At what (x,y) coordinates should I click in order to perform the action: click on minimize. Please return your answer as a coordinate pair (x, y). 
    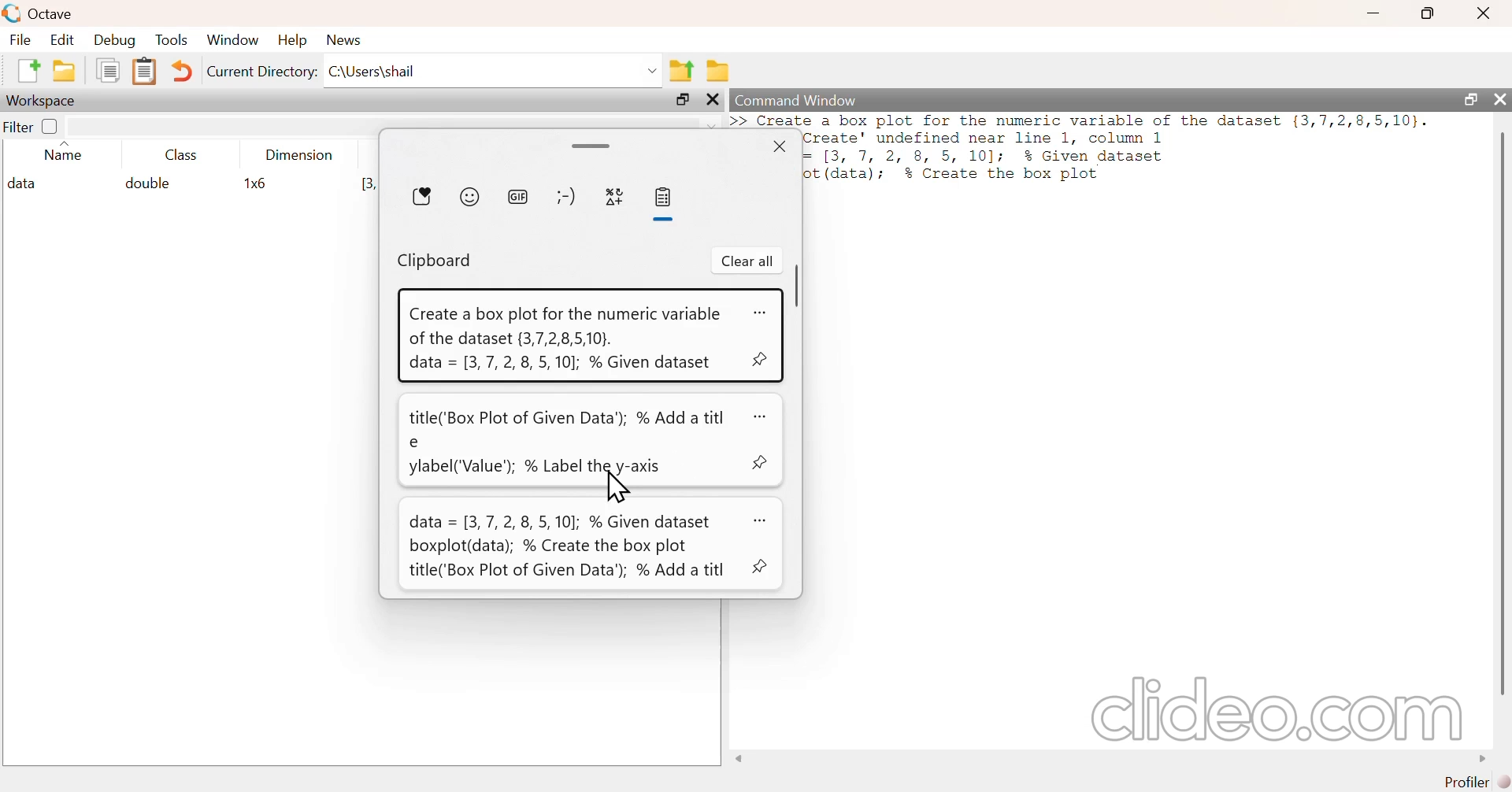
    Looking at the image, I should click on (1373, 13).